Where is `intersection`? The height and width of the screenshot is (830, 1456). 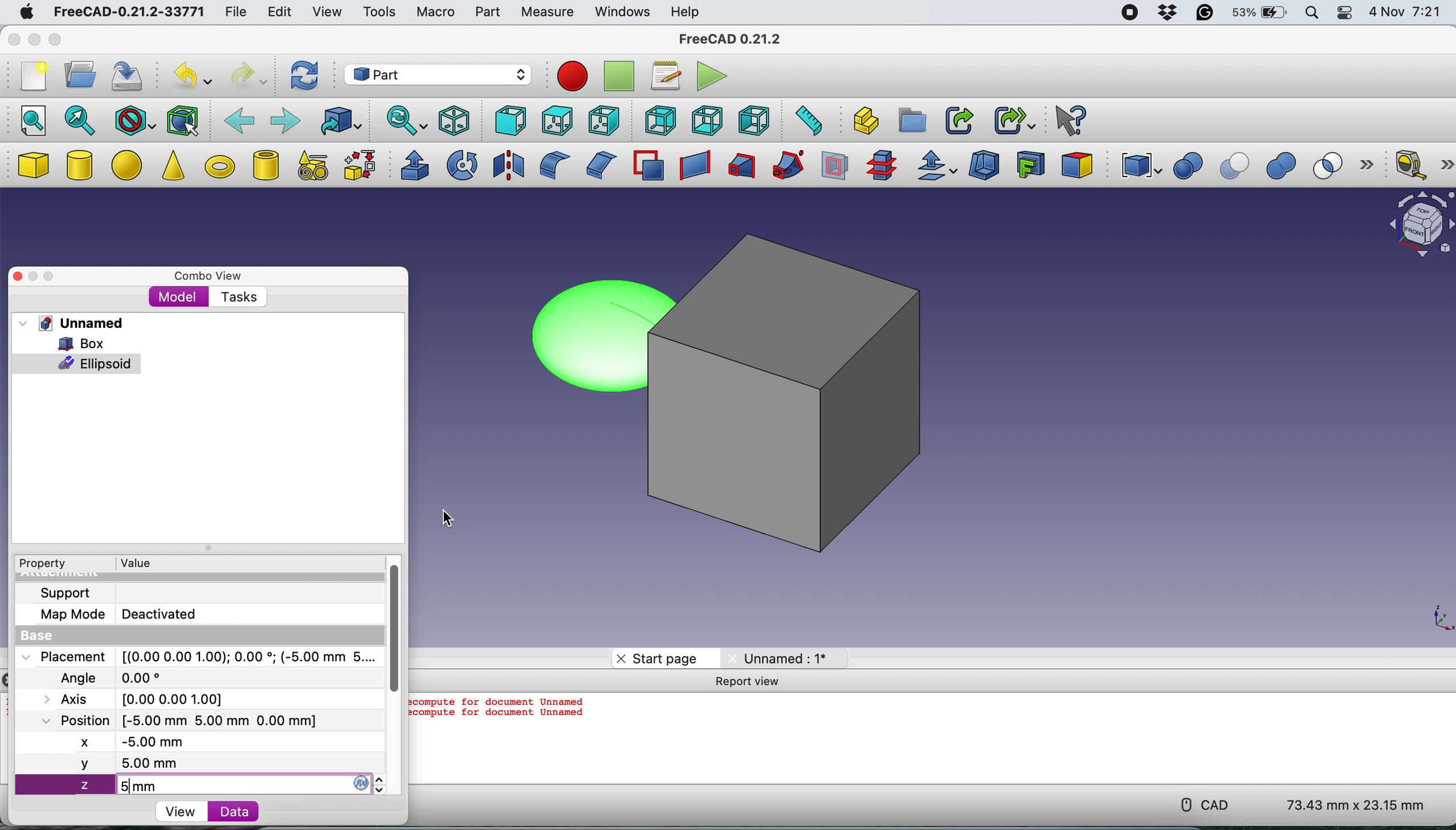 intersection is located at coordinates (1334, 165).